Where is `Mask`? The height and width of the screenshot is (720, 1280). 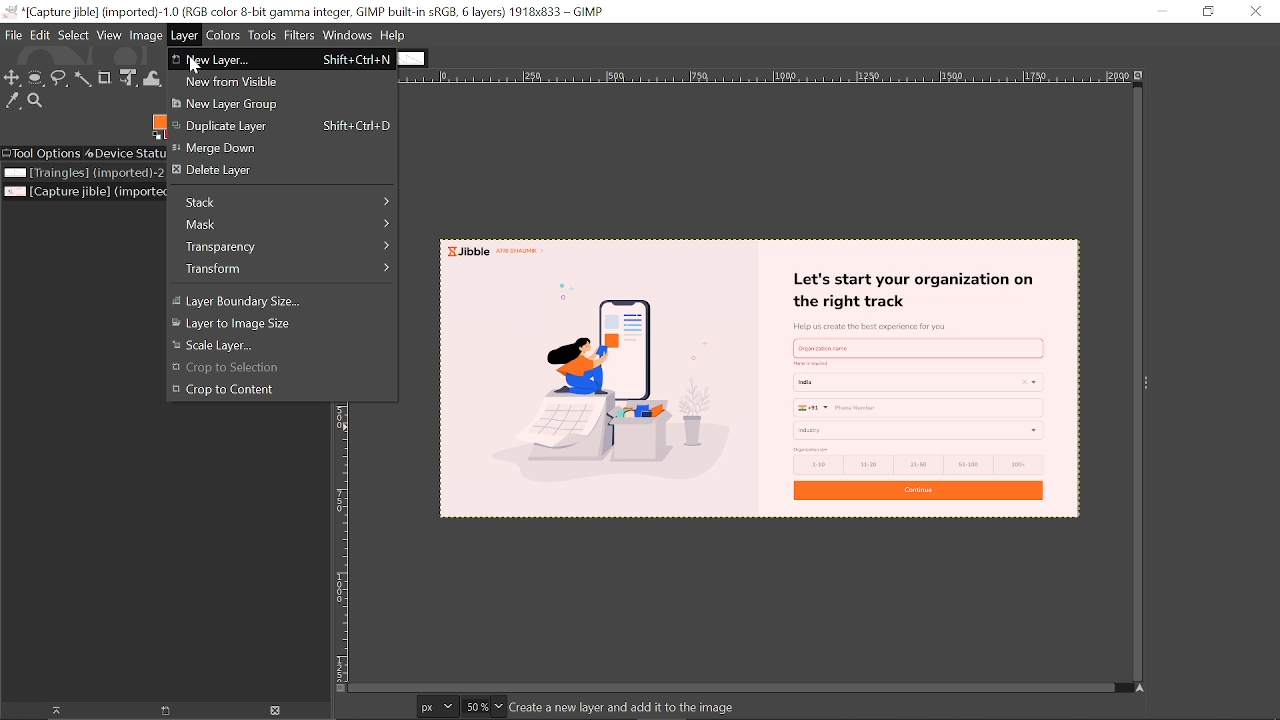
Mask is located at coordinates (287, 224).